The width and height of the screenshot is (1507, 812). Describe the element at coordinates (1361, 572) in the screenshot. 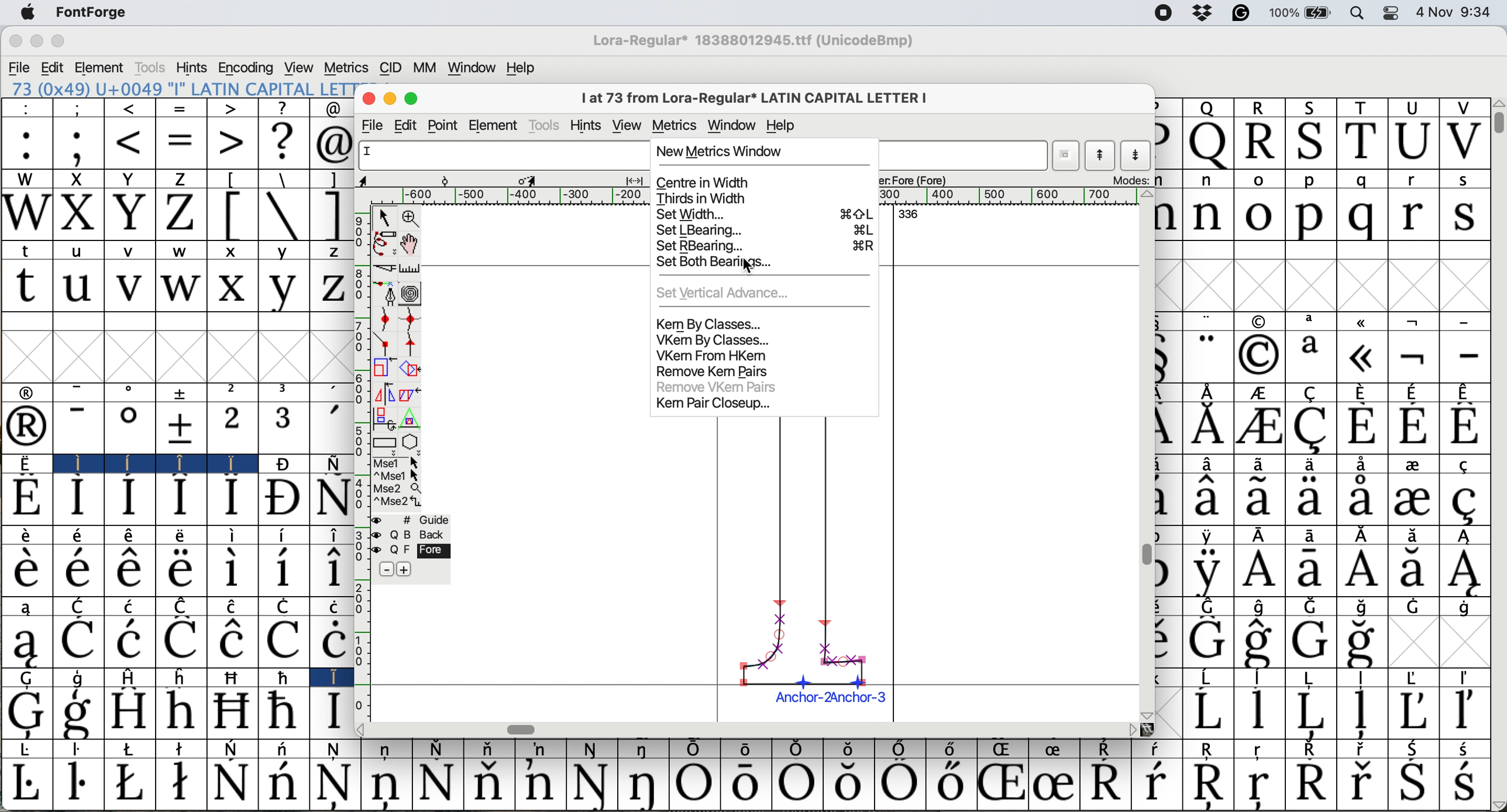

I see `Symbol` at that location.